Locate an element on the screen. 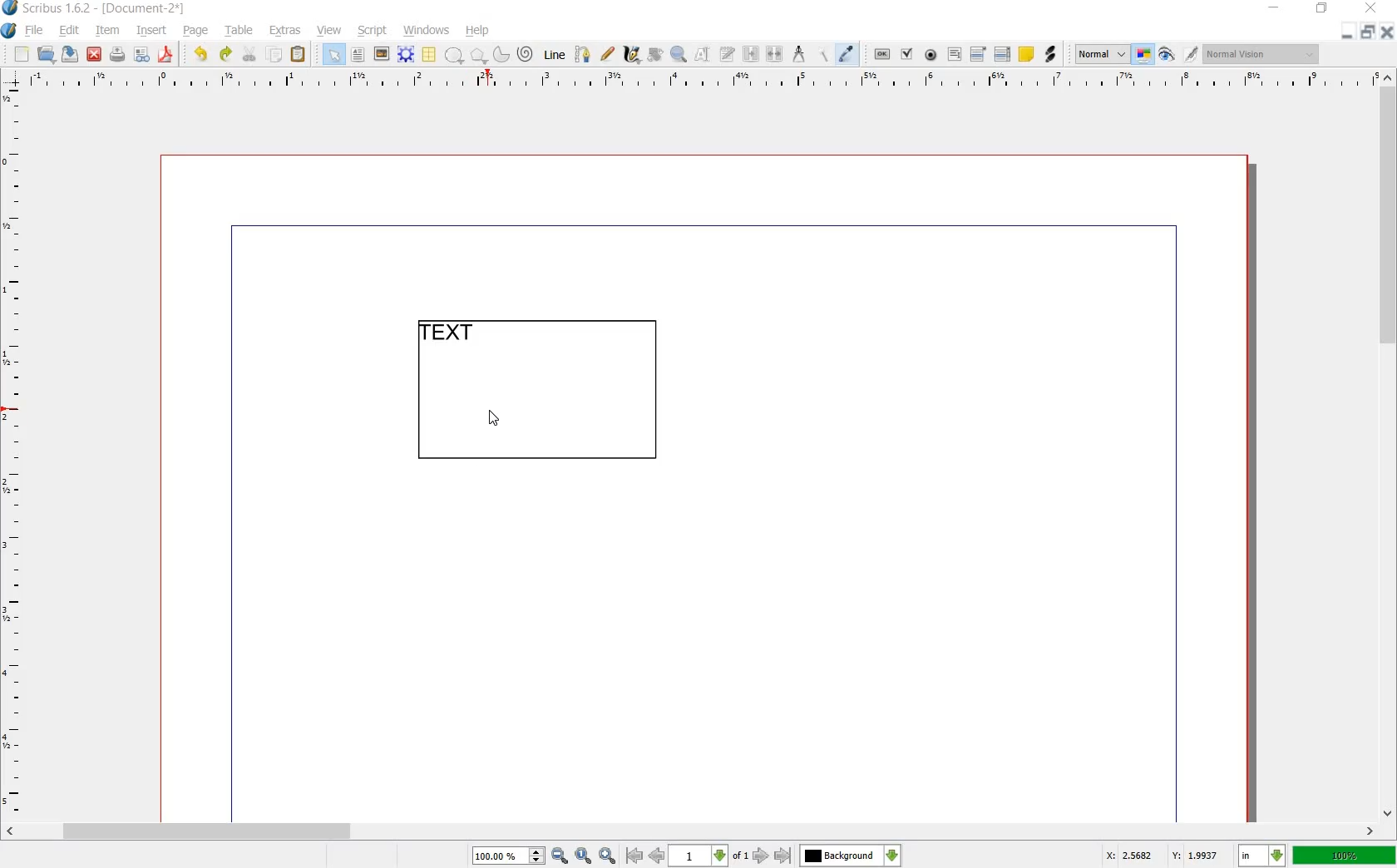 The height and width of the screenshot is (868, 1397). text frame is located at coordinates (357, 55).